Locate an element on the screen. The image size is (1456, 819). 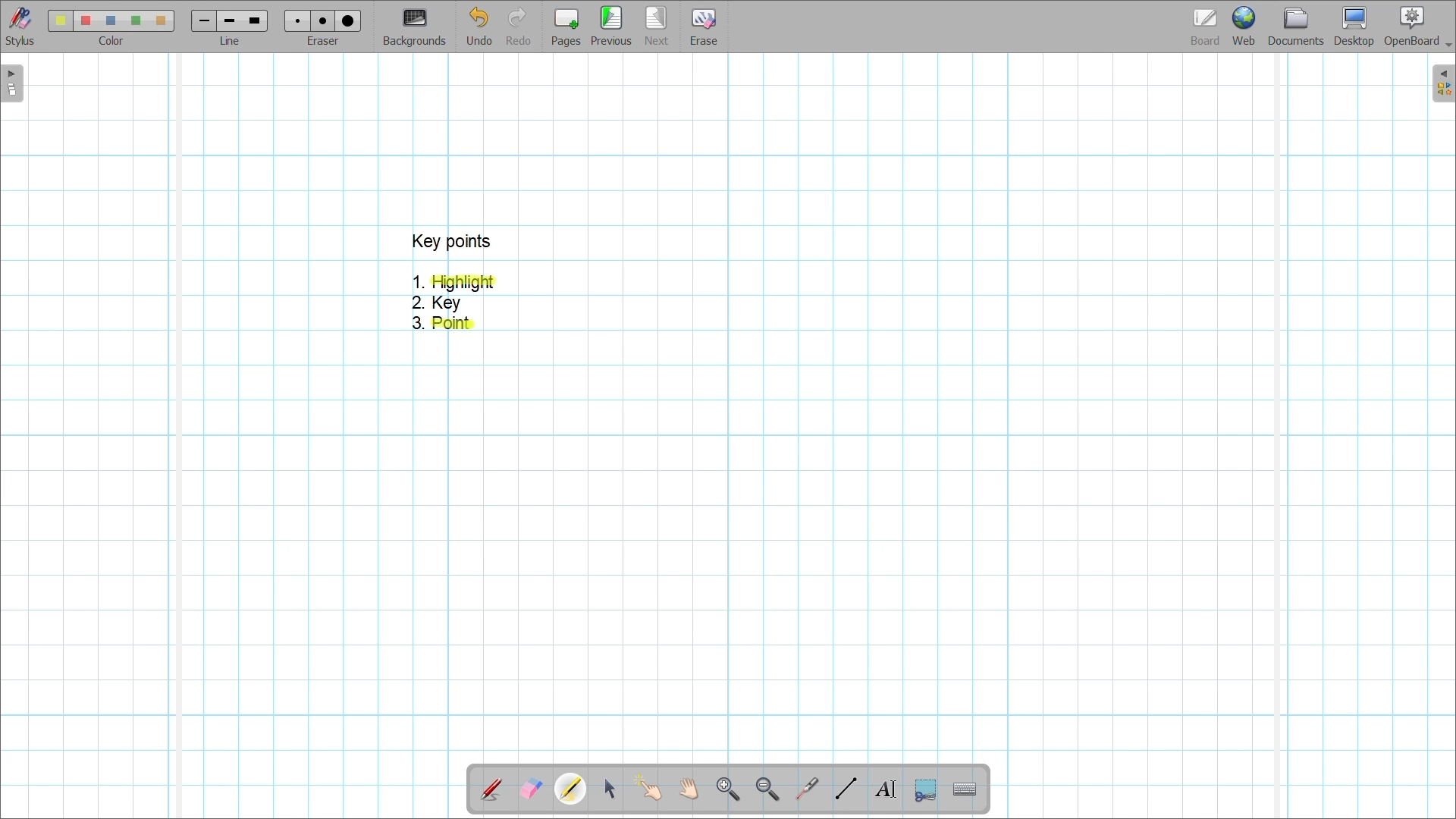
Zoom in is located at coordinates (729, 790).